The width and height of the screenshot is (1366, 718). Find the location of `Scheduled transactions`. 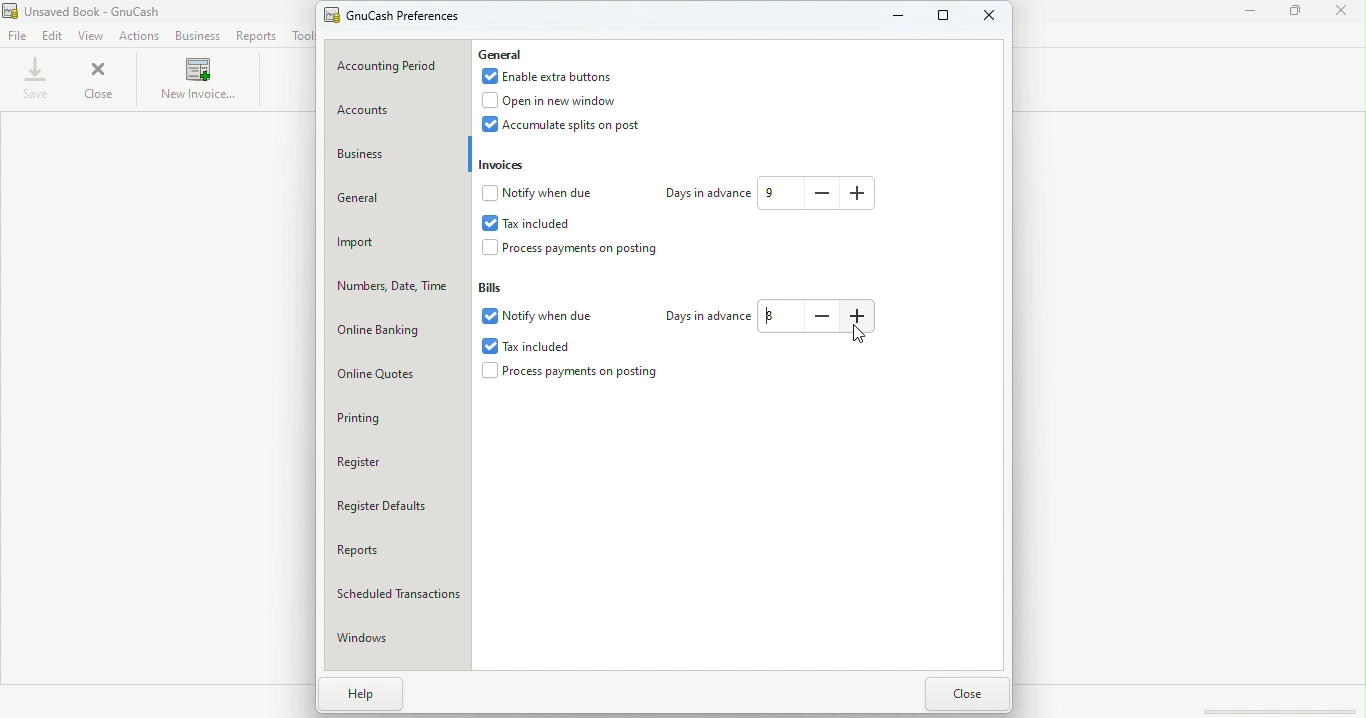

Scheduled transactions is located at coordinates (394, 595).